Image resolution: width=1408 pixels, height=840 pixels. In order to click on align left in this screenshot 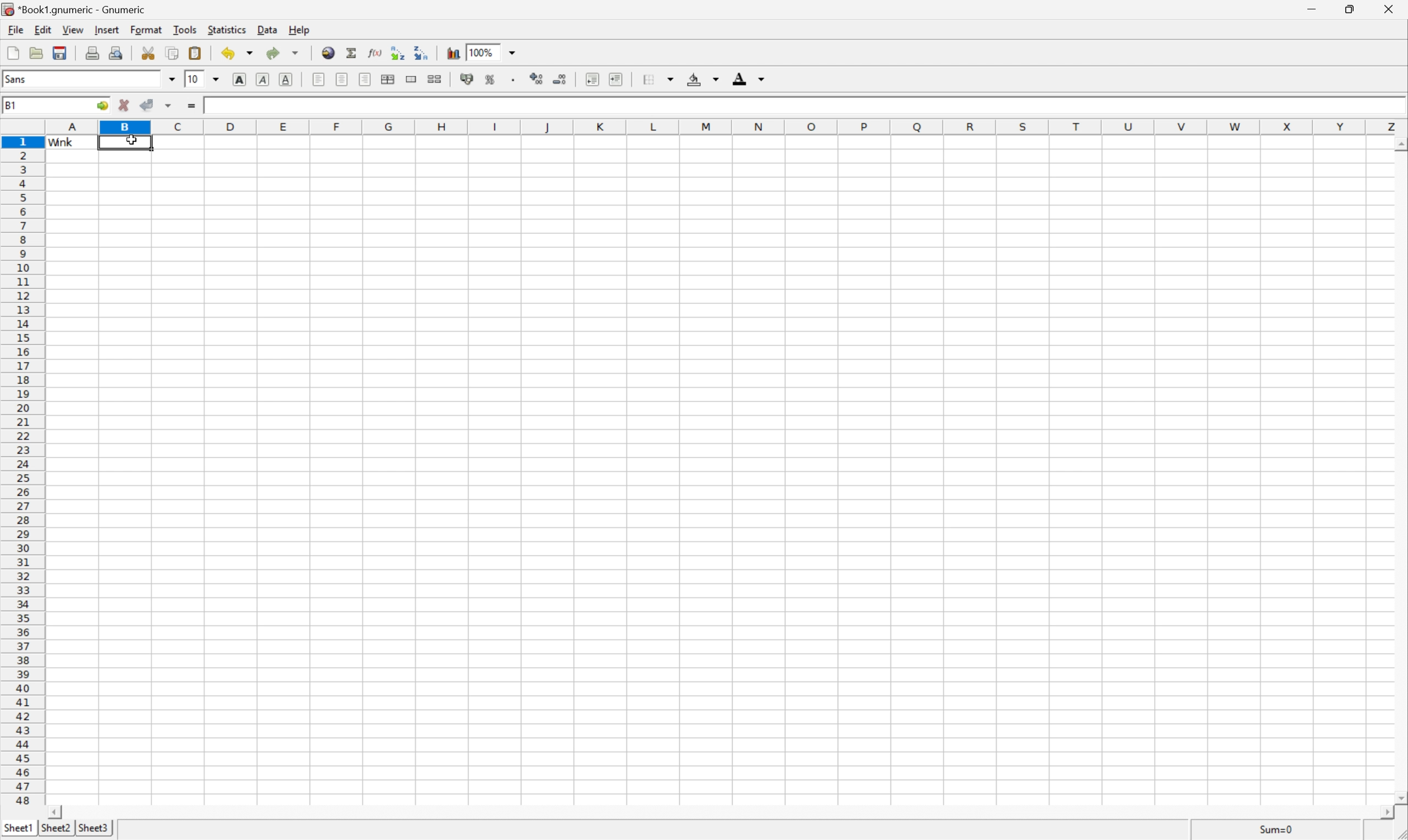, I will do `click(320, 79)`.